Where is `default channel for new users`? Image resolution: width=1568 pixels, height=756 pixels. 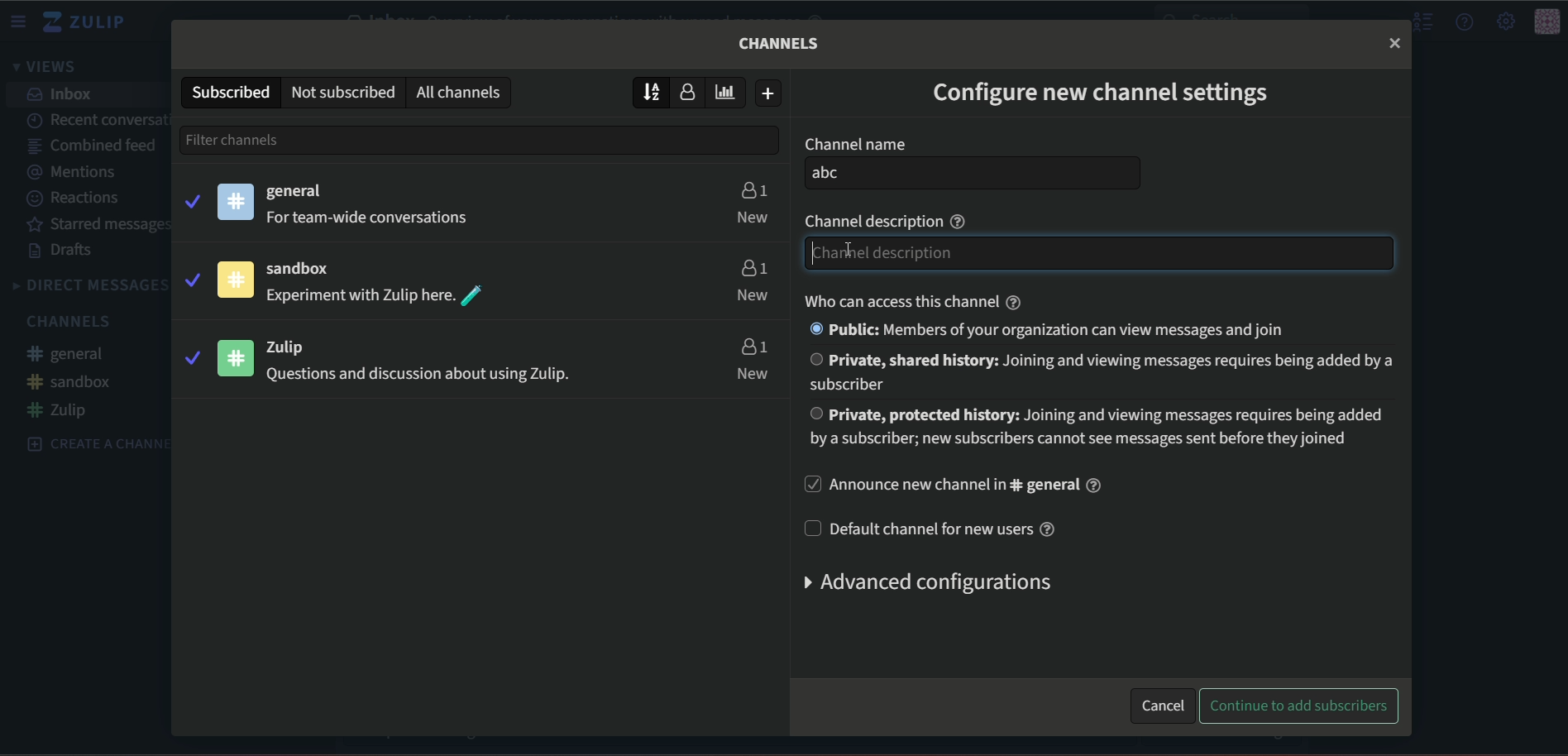
default channel for new users is located at coordinates (936, 529).